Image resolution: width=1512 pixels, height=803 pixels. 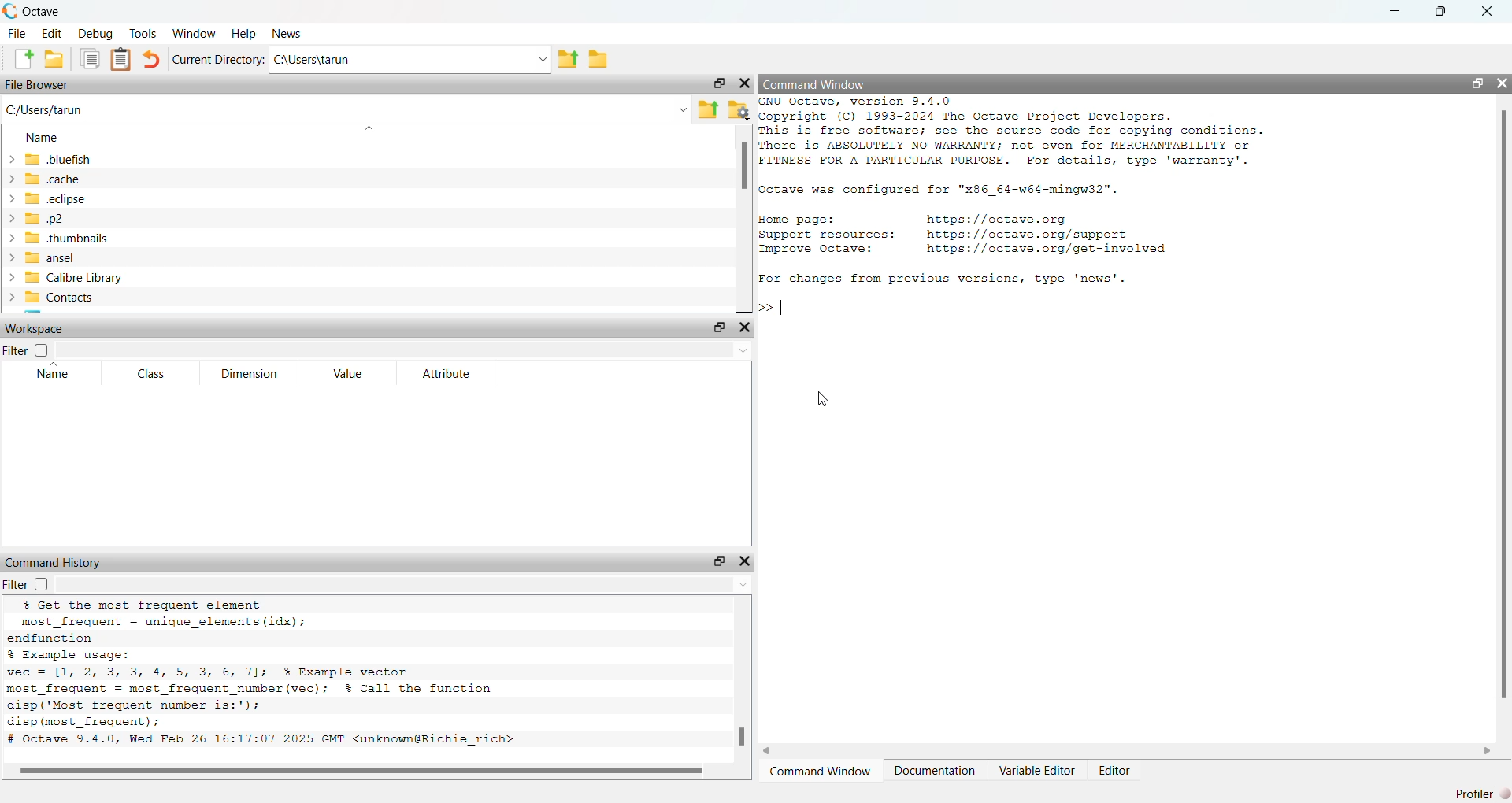 I want to click on Calibre Library, so click(x=75, y=277).